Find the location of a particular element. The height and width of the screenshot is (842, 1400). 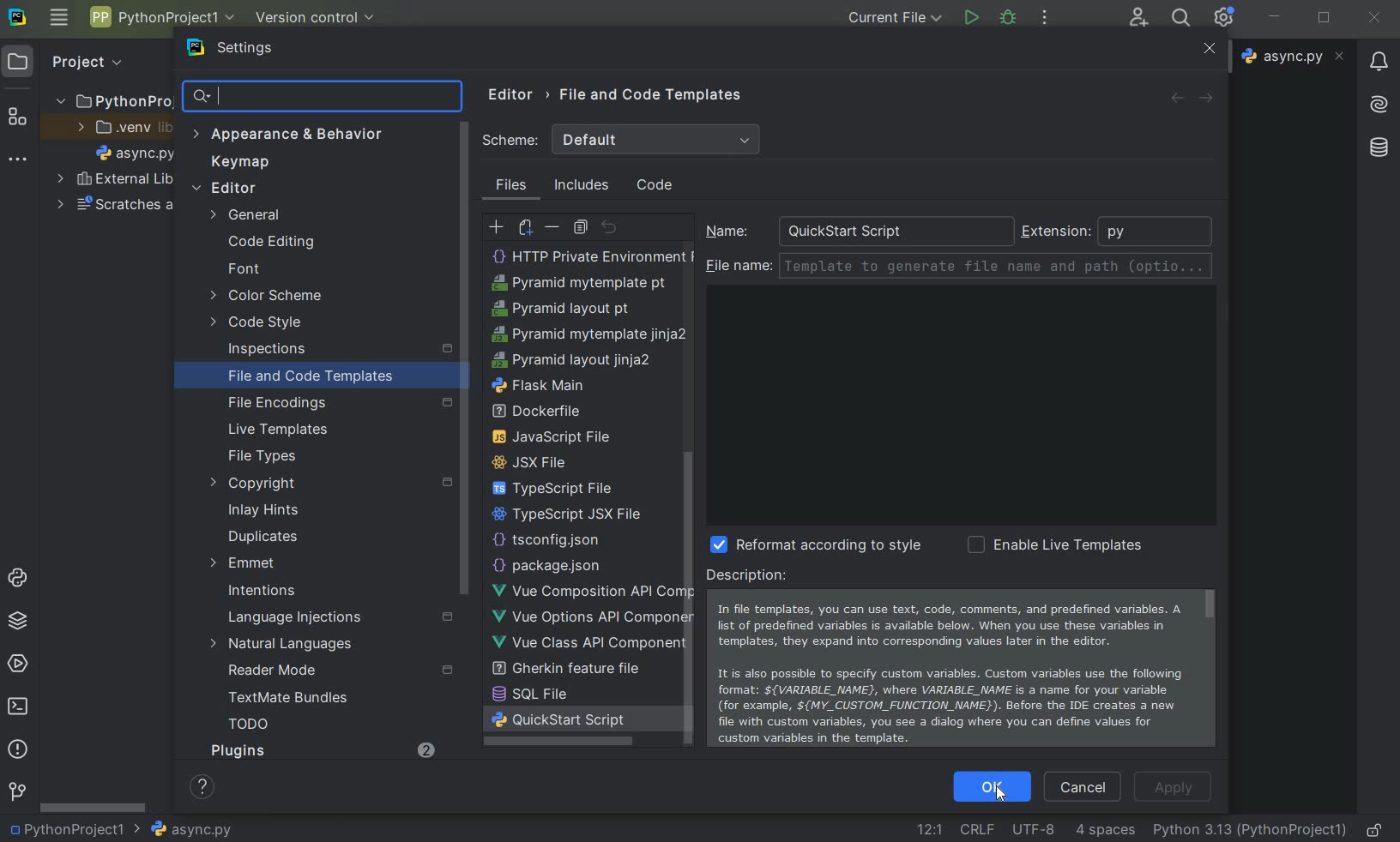

more actions is located at coordinates (1044, 20).